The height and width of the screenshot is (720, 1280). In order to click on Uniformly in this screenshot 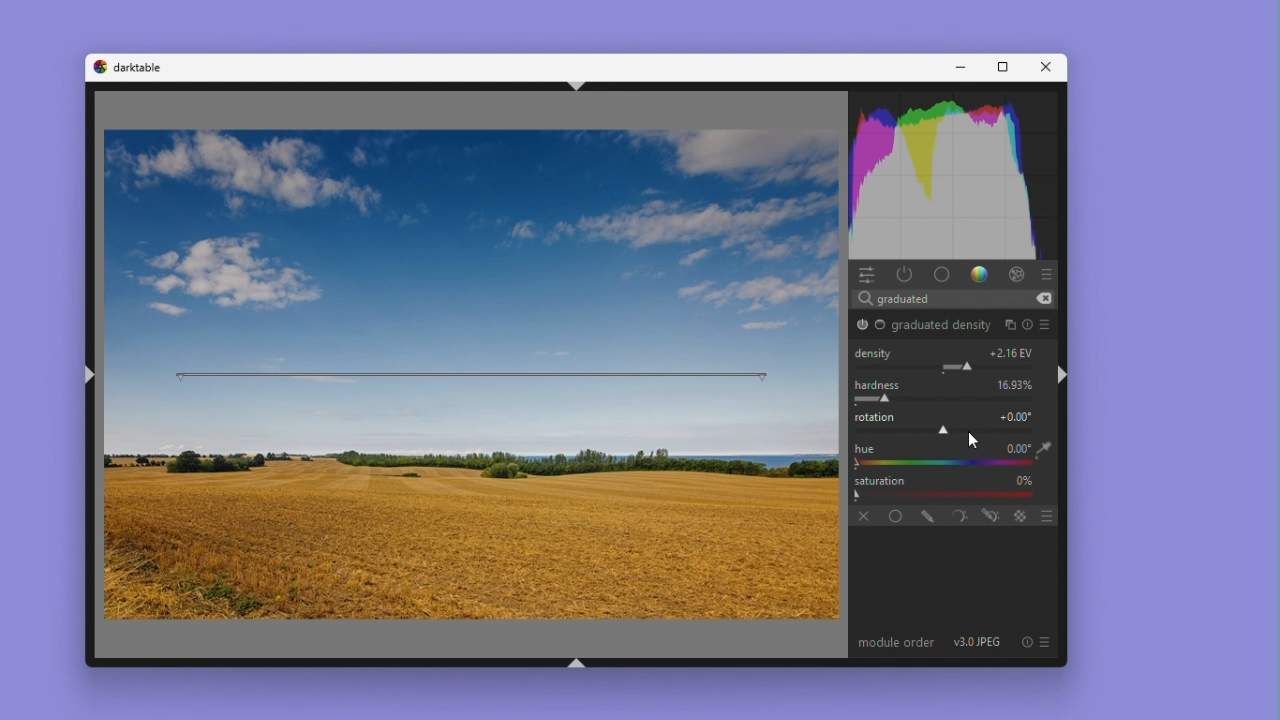, I will do `click(895, 516)`.